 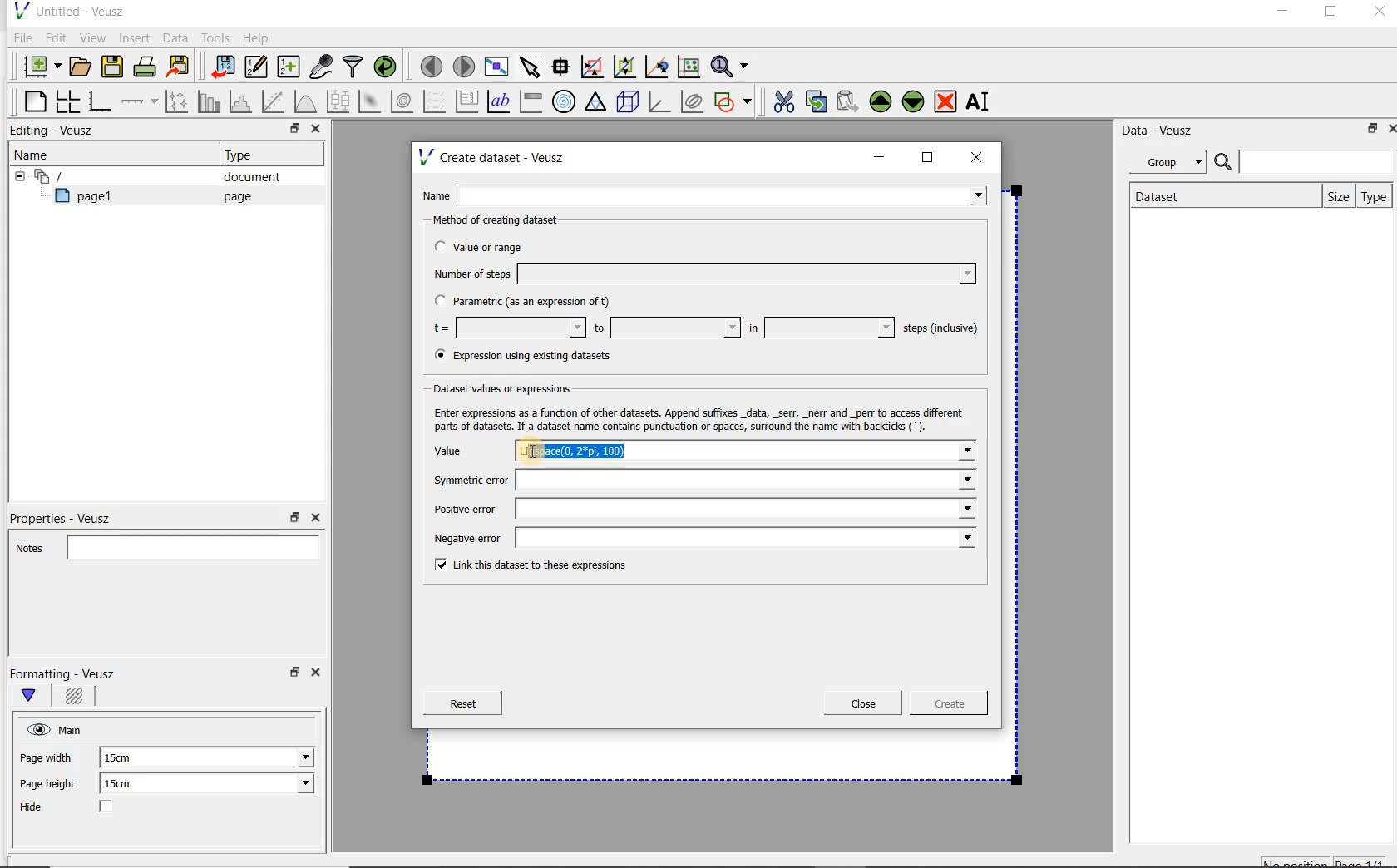 I want to click on new document, so click(x=38, y=64).